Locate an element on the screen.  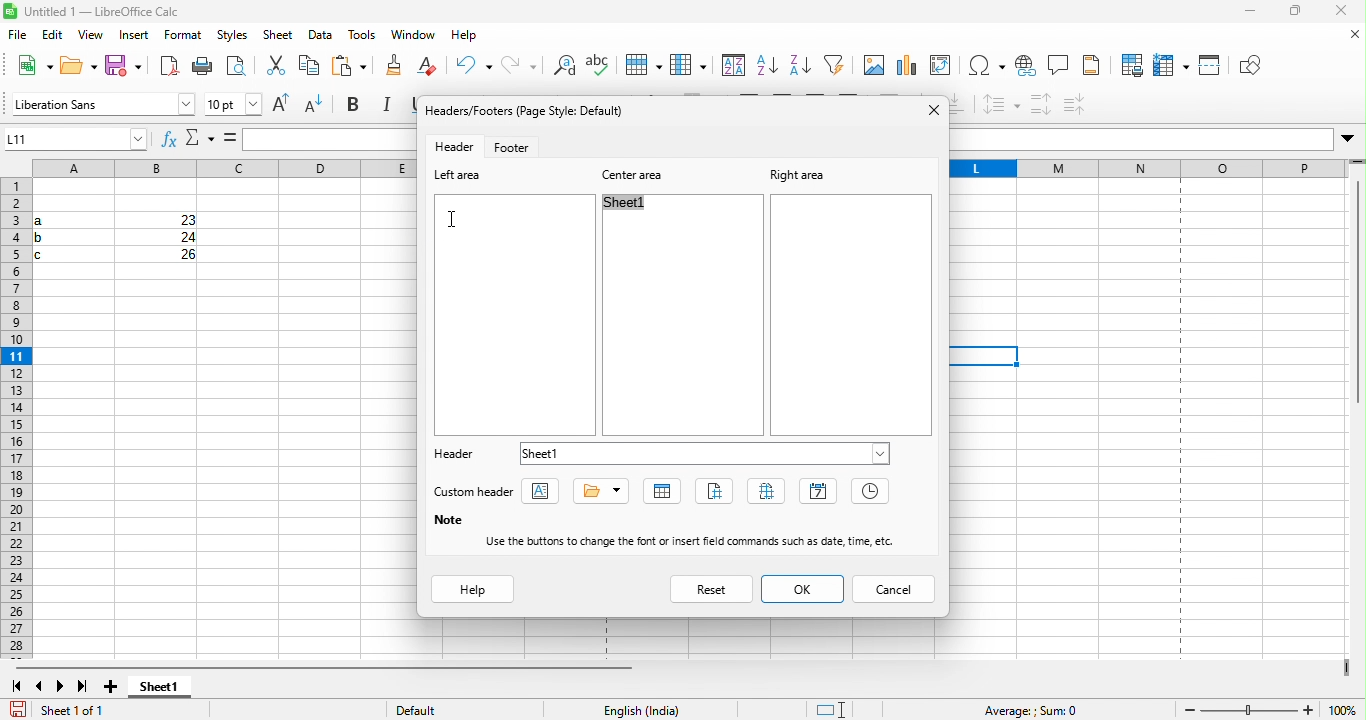
clear direct formatting is located at coordinates (397, 65).